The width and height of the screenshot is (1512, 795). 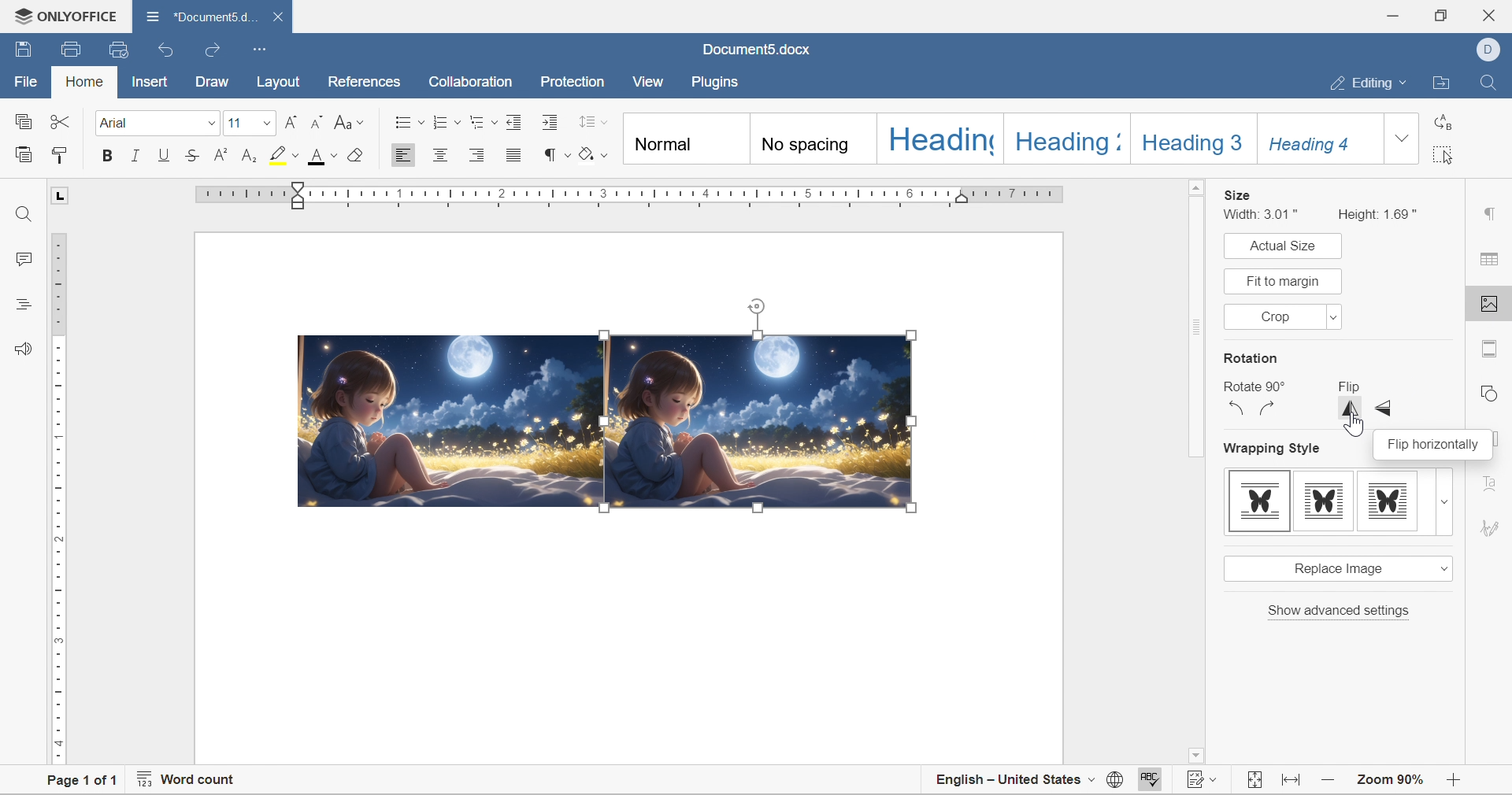 I want to click on flip horizontally, so click(x=1432, y=443).